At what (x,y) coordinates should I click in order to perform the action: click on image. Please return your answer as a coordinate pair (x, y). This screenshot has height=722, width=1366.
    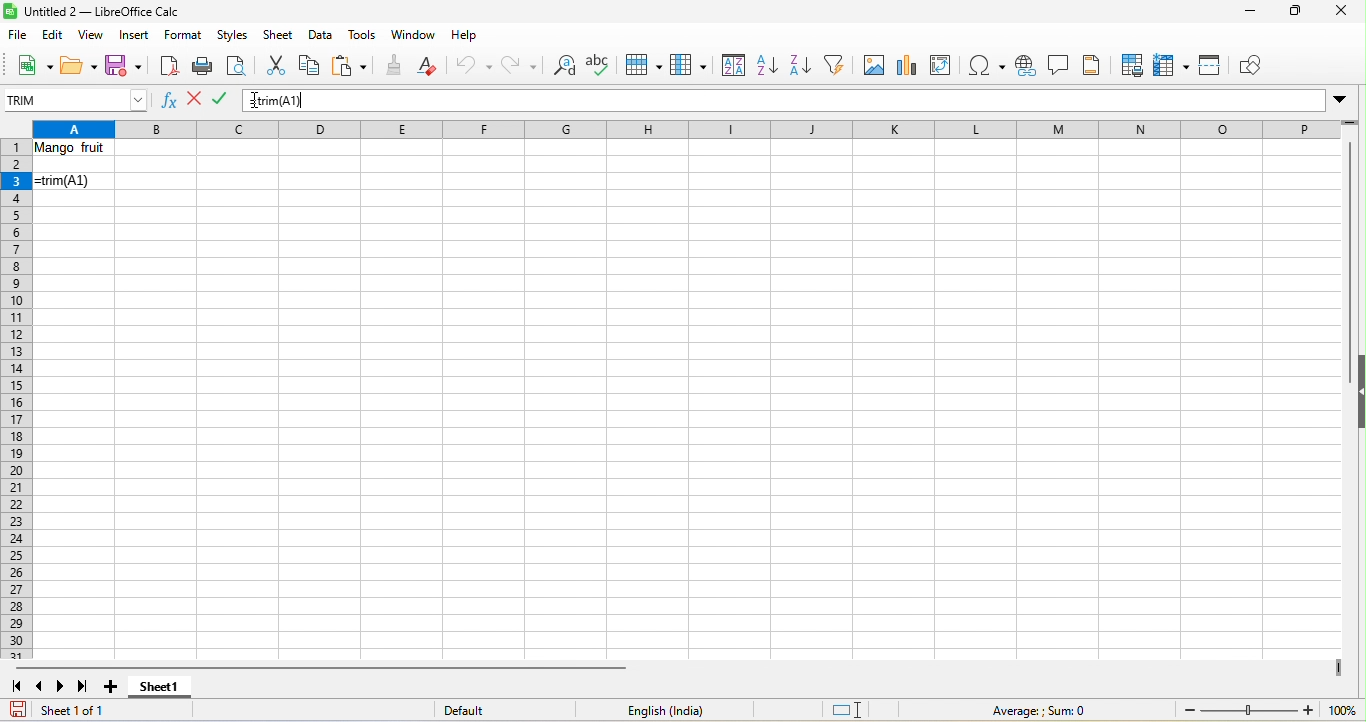
    Looking at the image, I should click on (873, 67).